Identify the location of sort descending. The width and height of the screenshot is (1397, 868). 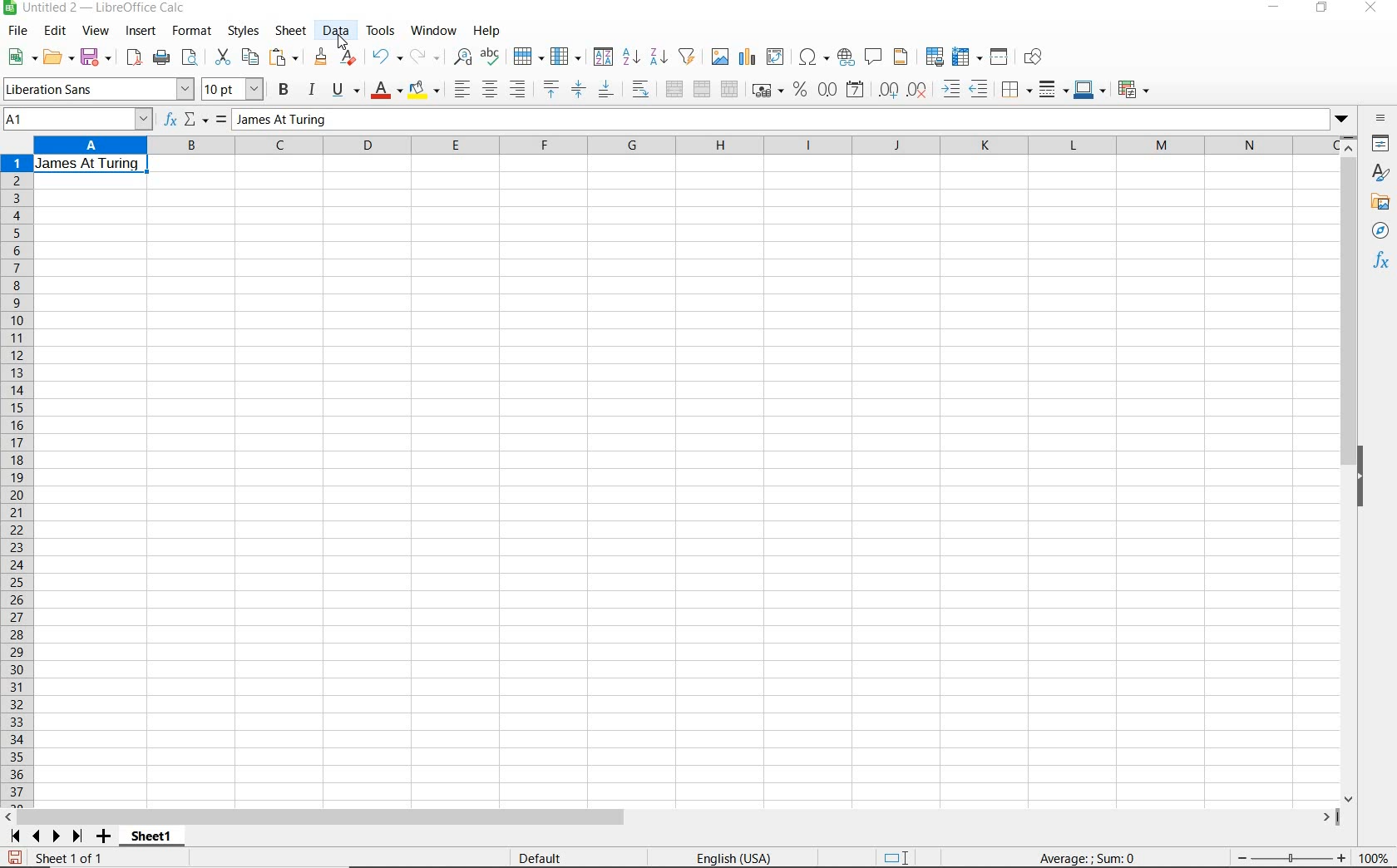
(659, 57).